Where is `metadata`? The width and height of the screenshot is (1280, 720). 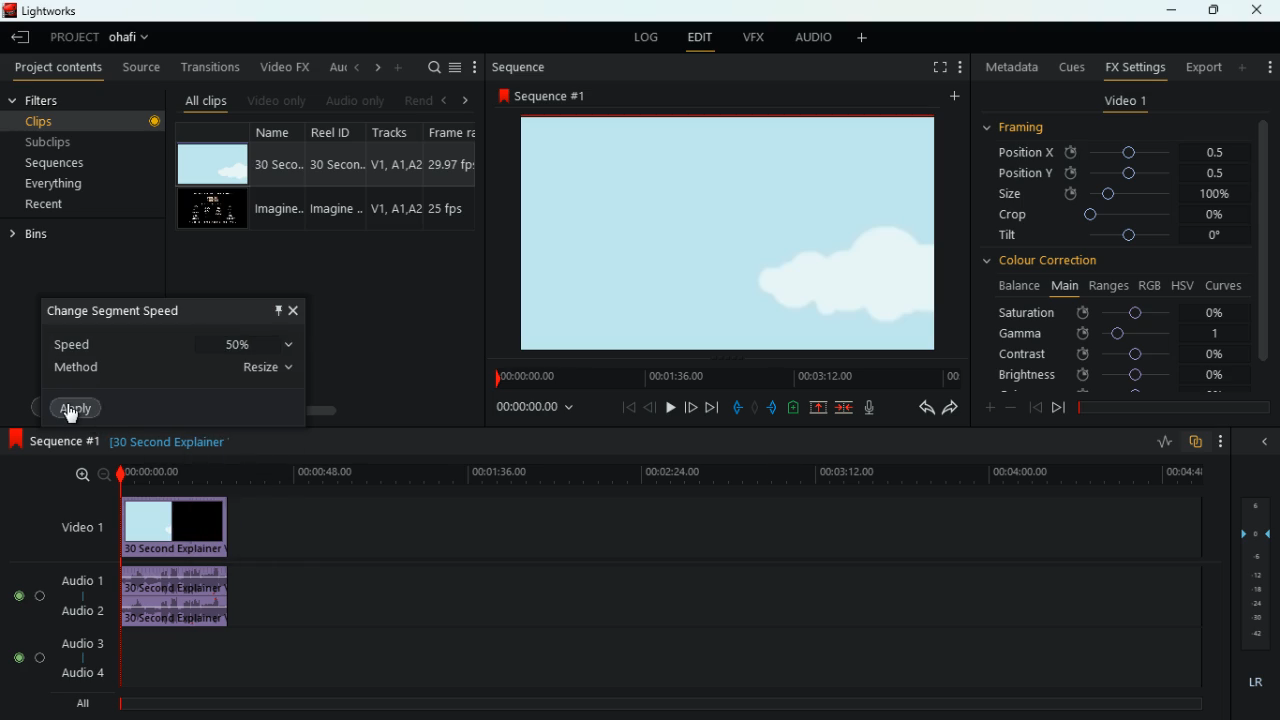 metadata is located at coordinates (1009, 69).